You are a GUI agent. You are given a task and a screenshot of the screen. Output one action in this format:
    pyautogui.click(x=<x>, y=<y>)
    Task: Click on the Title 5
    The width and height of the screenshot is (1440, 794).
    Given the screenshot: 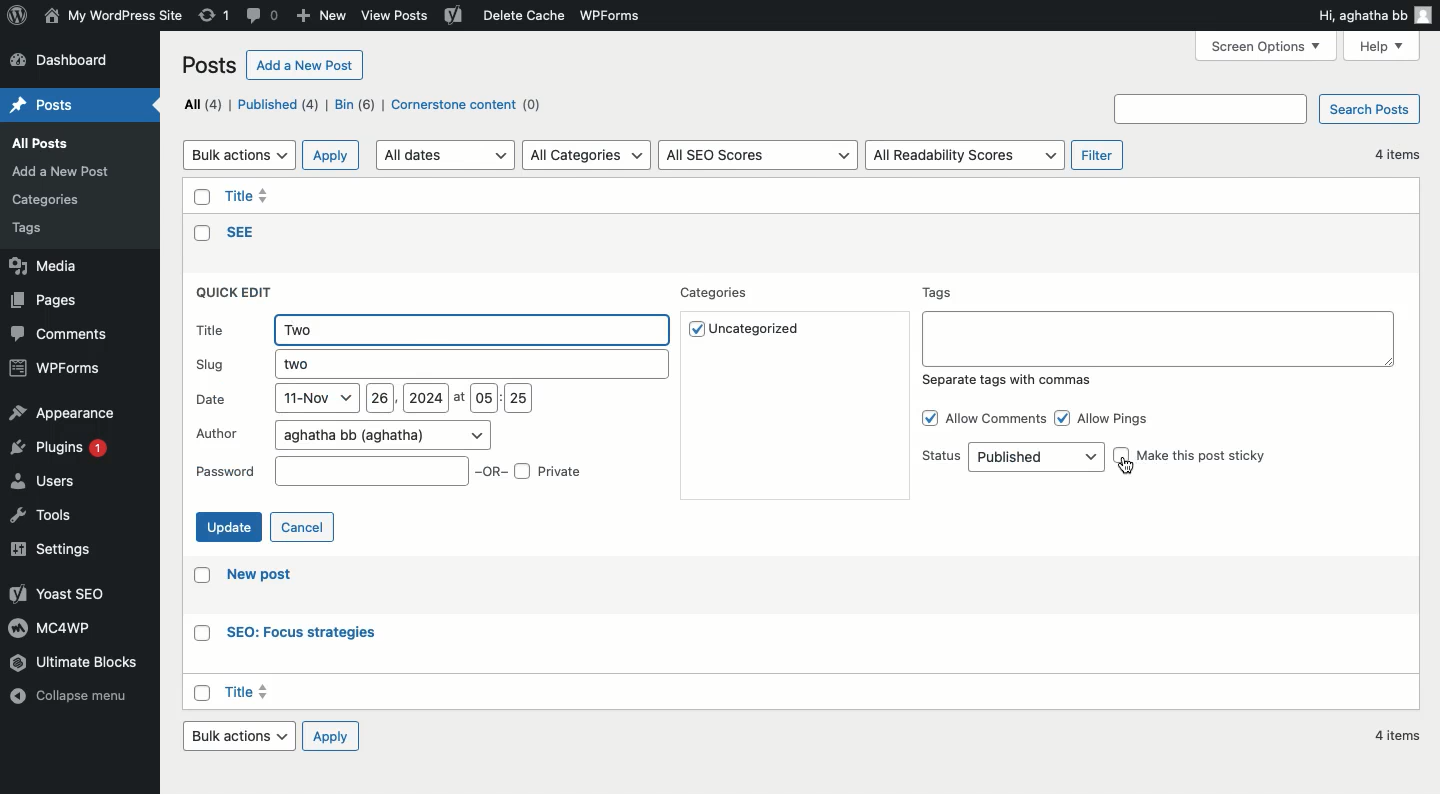 What is the action you would take?
    pyautogui.click(x=249, y=193)
    